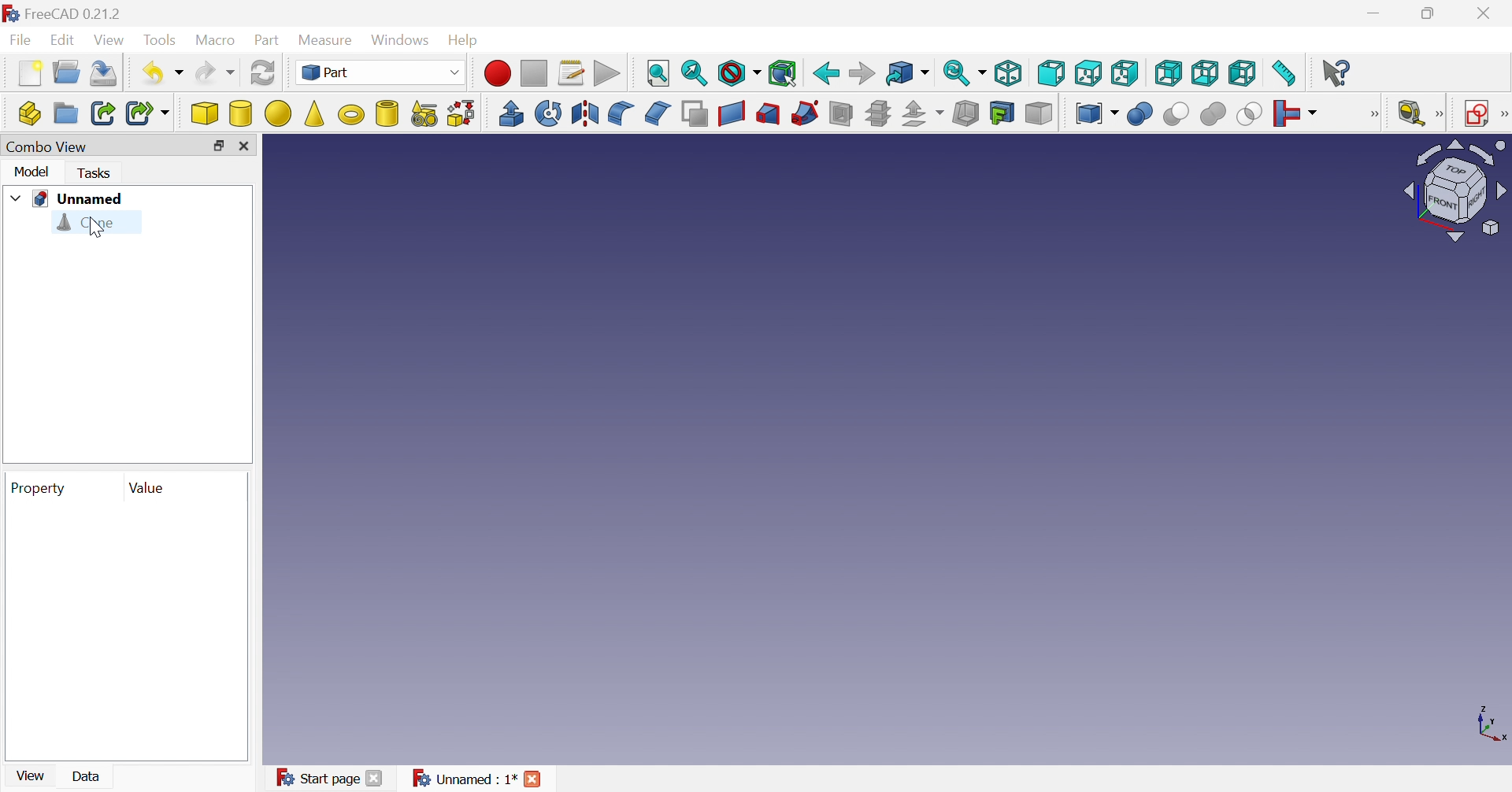  I want to click on Thickness, so click(965, 114).